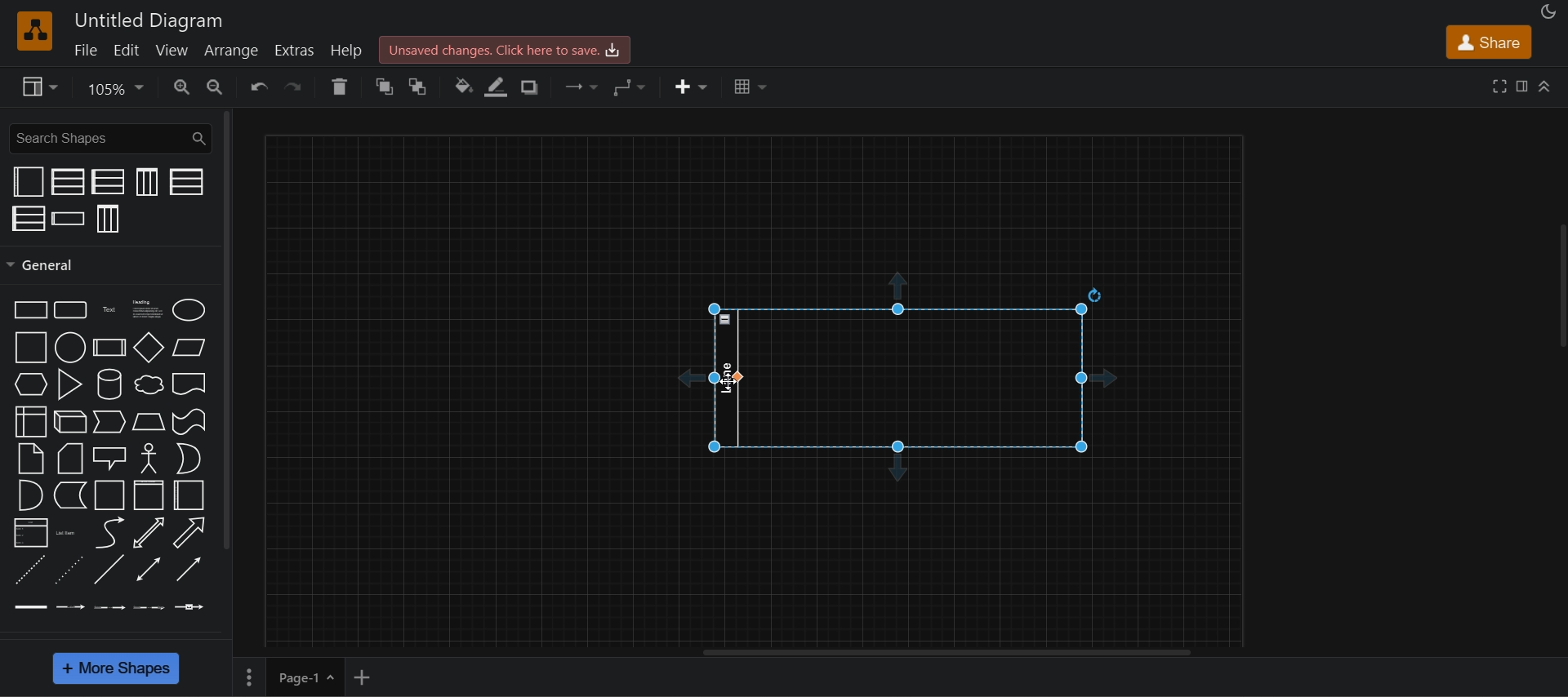  Describe the element at coordinates (1490, 42) in the screenshot. I see `share` at that location.